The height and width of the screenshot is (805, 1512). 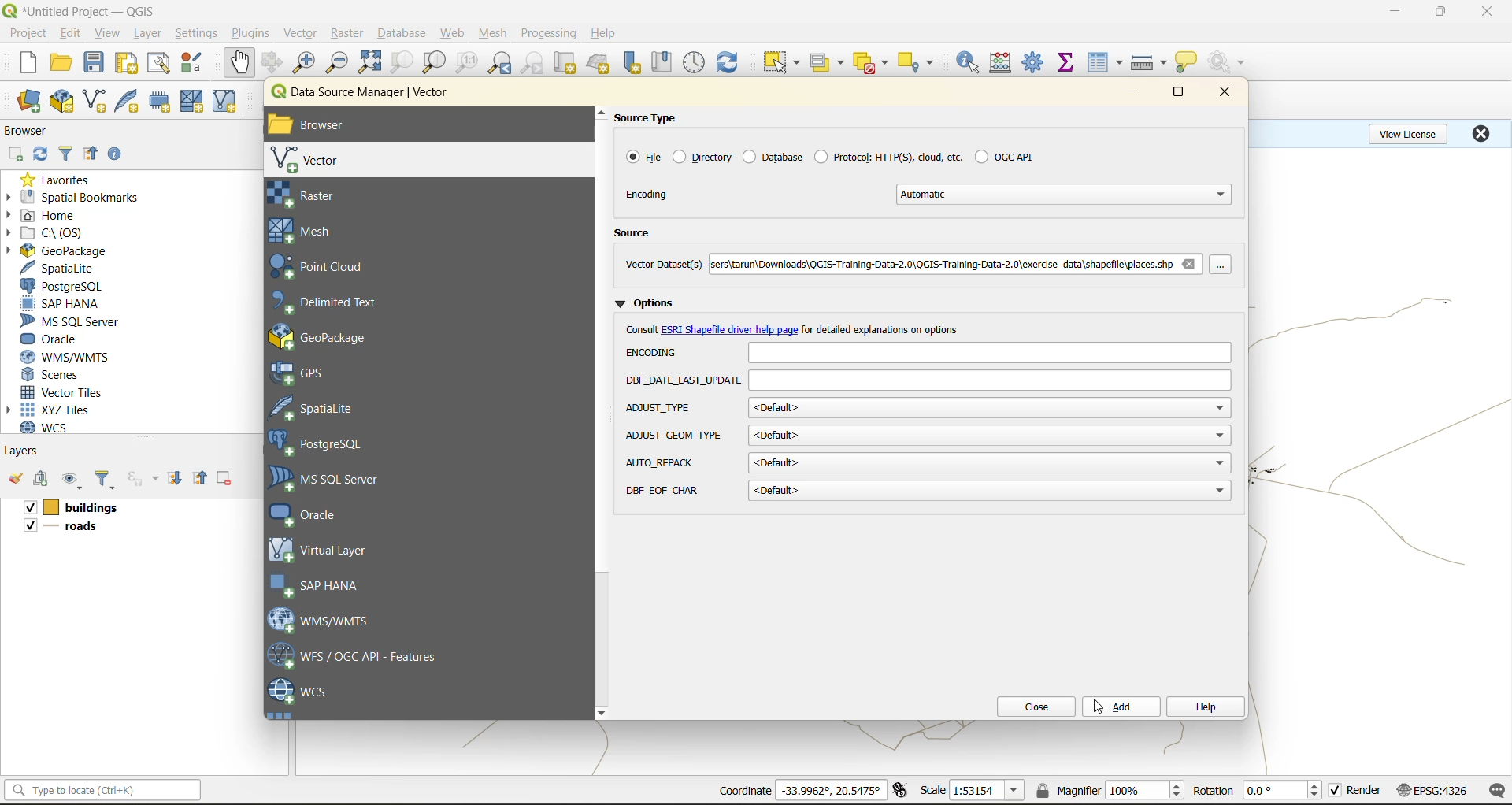 What do you see at coordinates (1132, 93) in the screenshot?
I see `minimize` at bounding box center [1132, 93].